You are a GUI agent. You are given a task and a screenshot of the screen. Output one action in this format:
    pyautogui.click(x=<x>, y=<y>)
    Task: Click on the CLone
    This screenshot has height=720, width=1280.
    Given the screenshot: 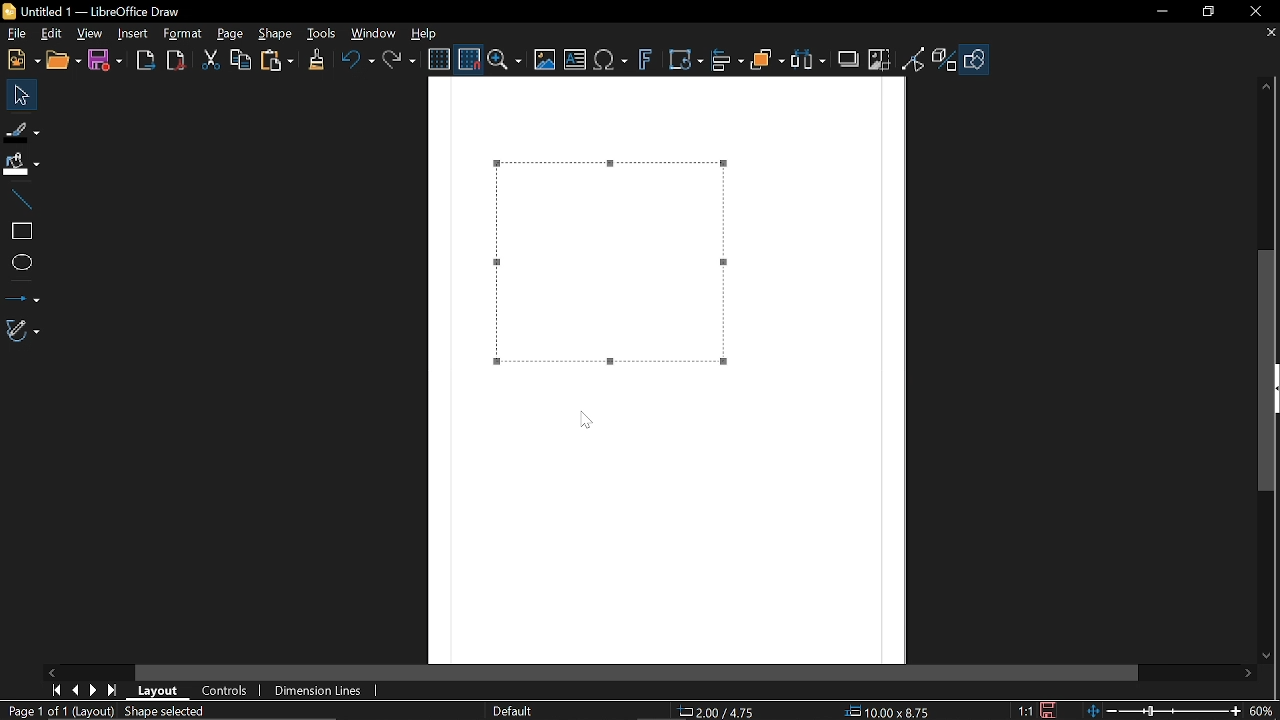 What is the action you would take?
    pyautogui.click(x=318, y=58)
    